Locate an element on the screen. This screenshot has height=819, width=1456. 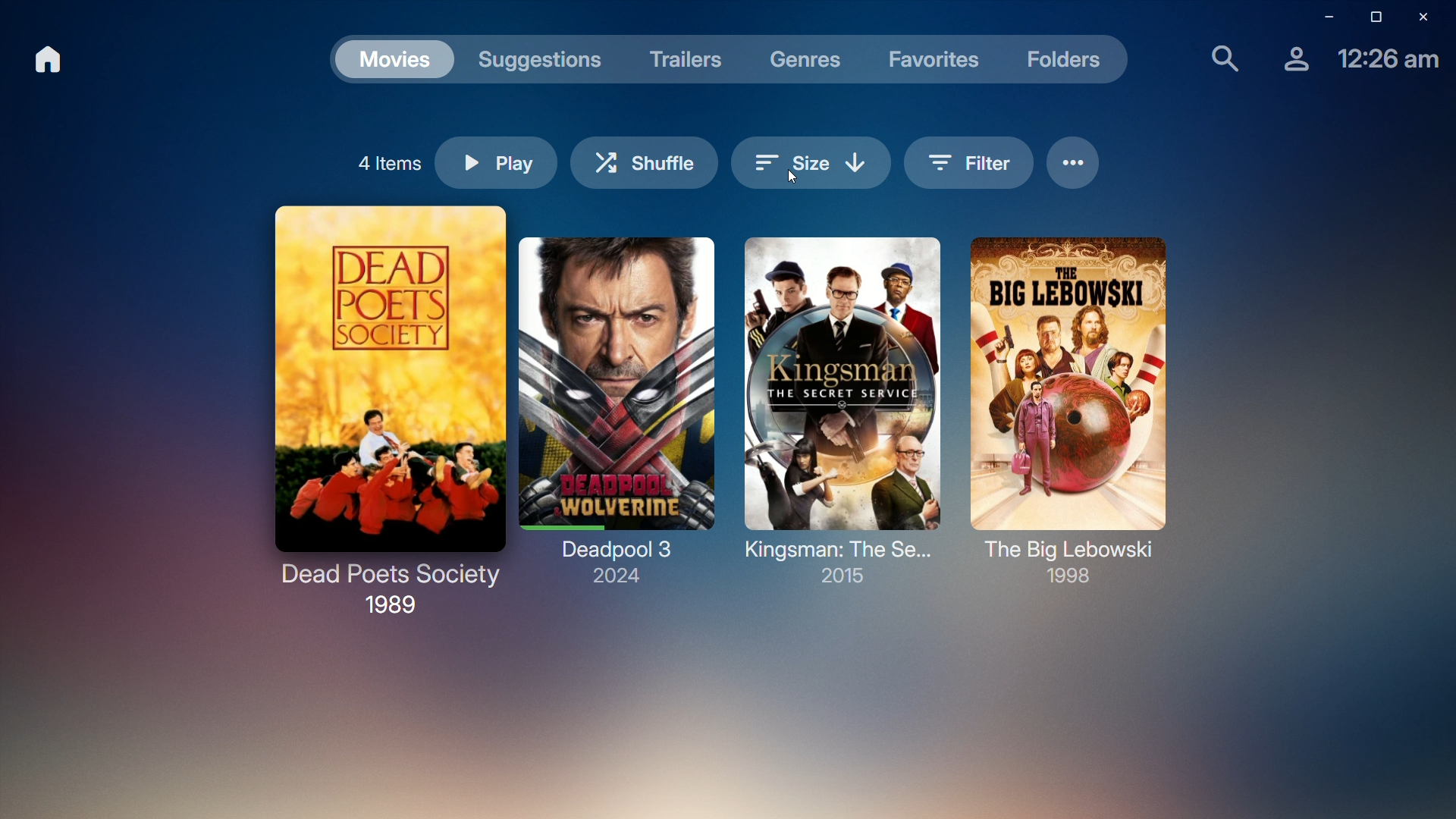
Shuffle is located at coordinates (646, 158).